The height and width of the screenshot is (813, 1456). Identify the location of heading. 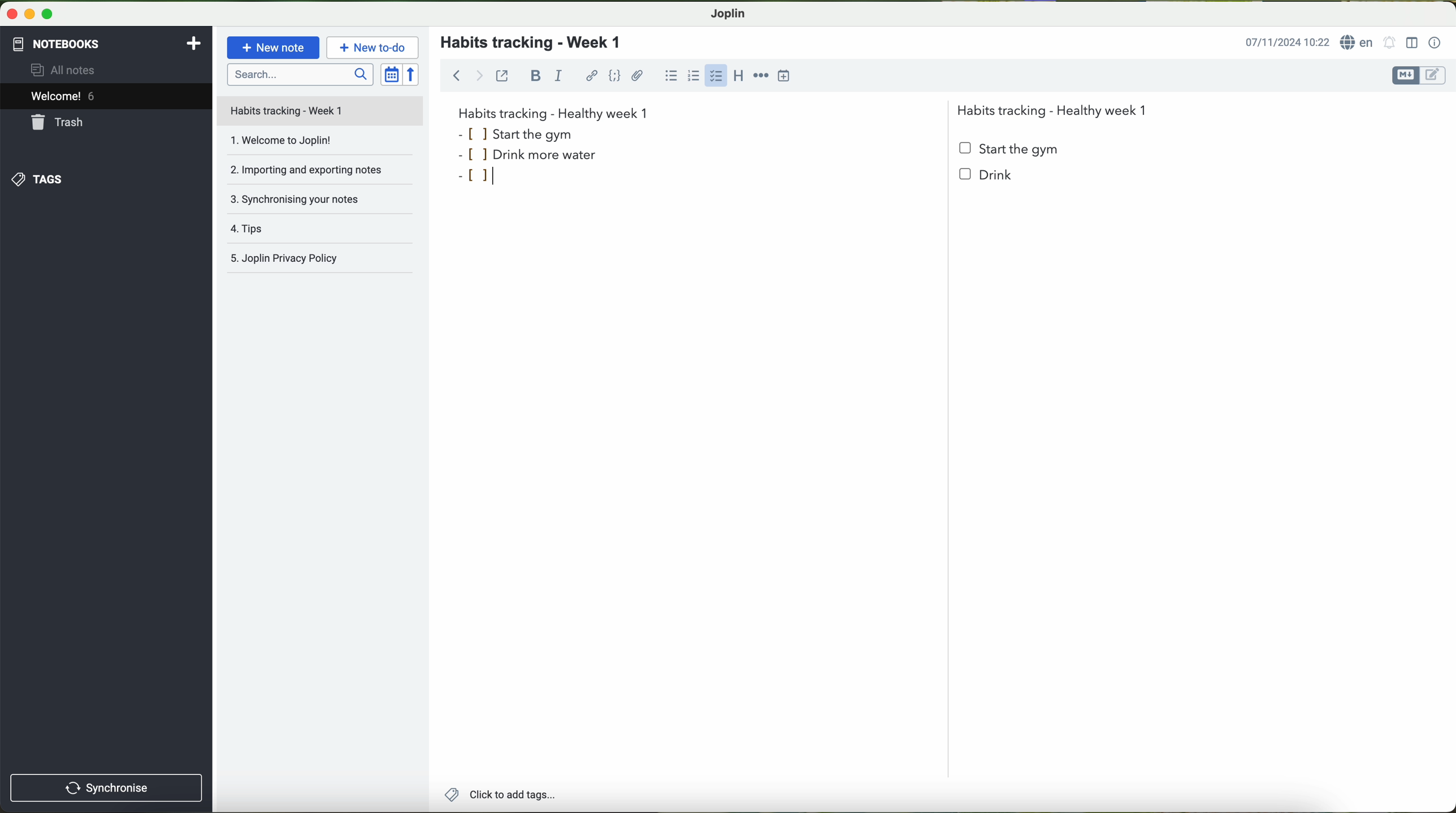
(740, 79).